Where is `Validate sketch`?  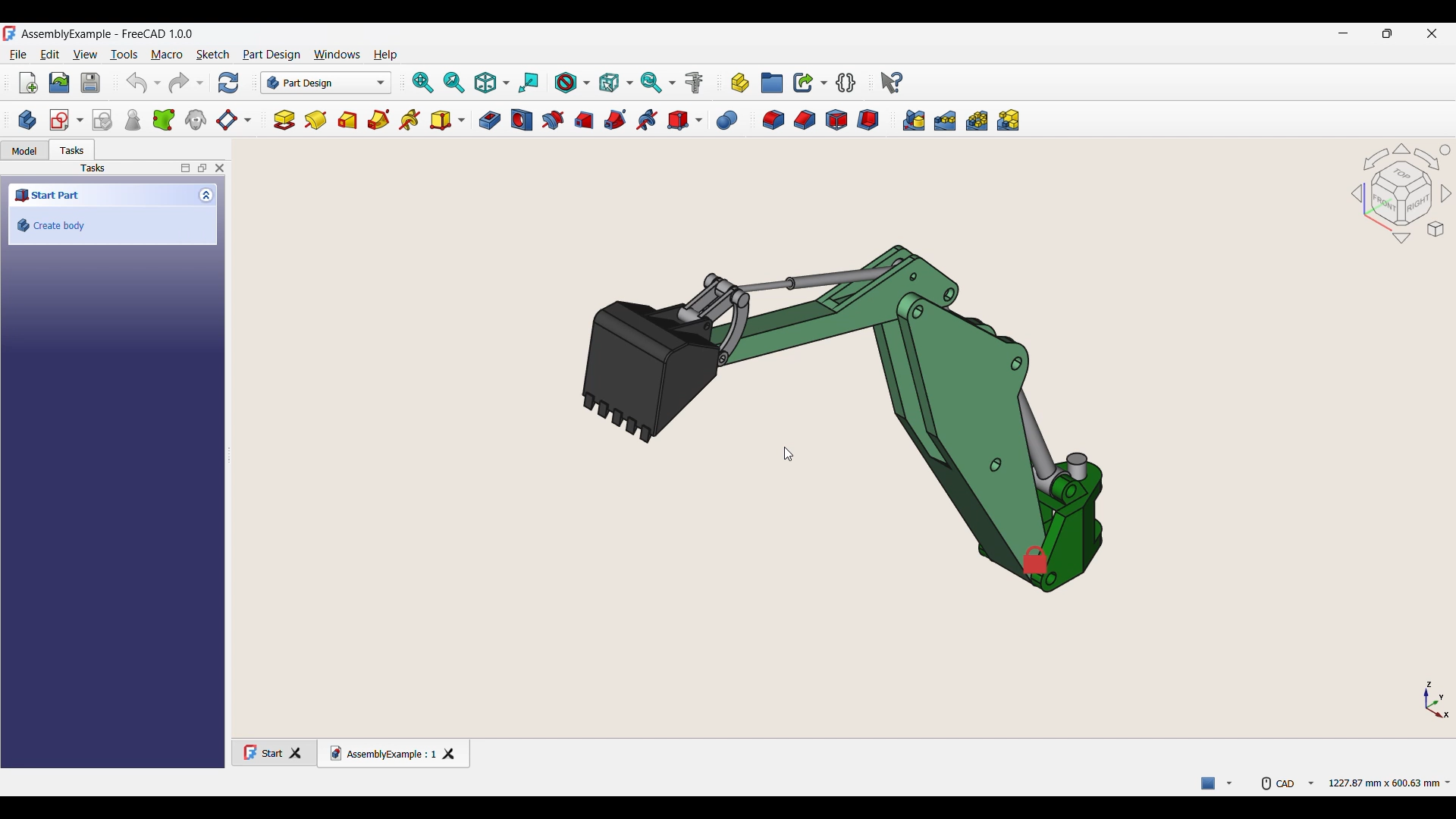 Validate sketch is located at coordinates (102, 120).